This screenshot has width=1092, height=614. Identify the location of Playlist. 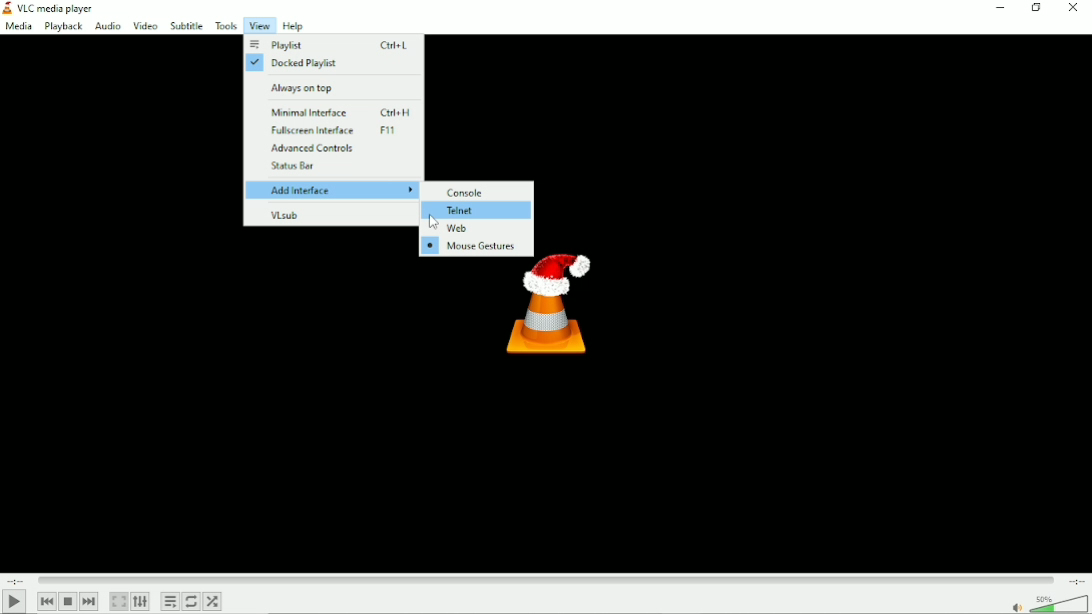
(330, 46).